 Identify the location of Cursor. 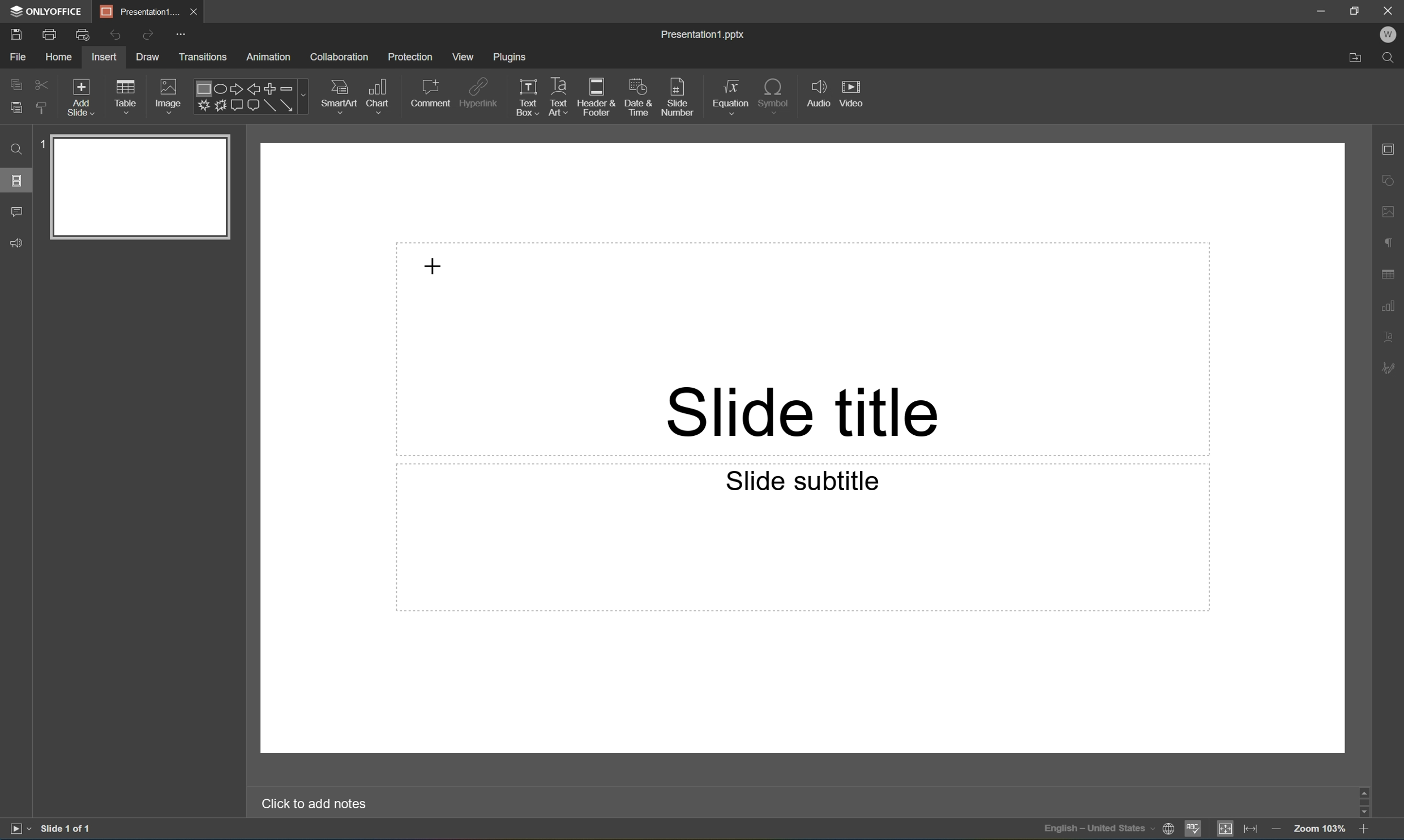
(436, 264).